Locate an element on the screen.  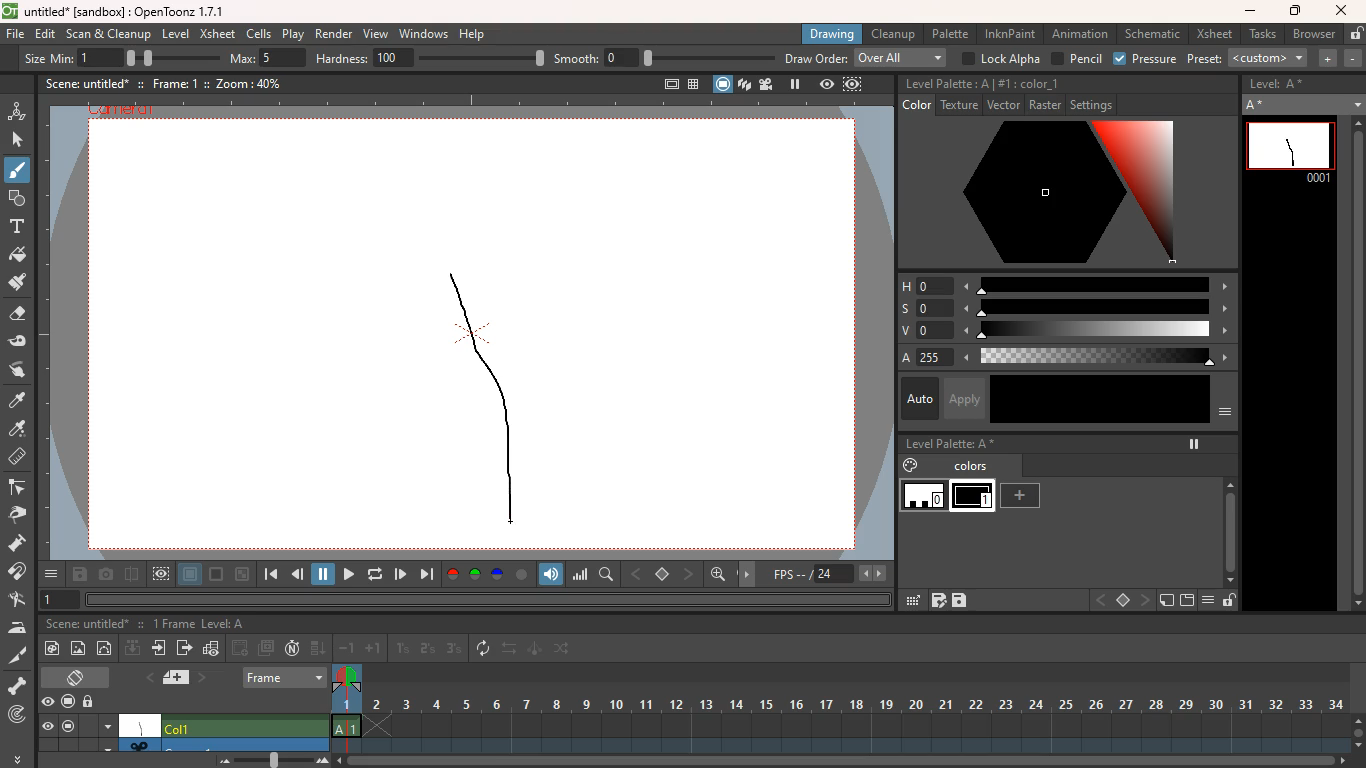
animate is located at coordinates (535, 650).